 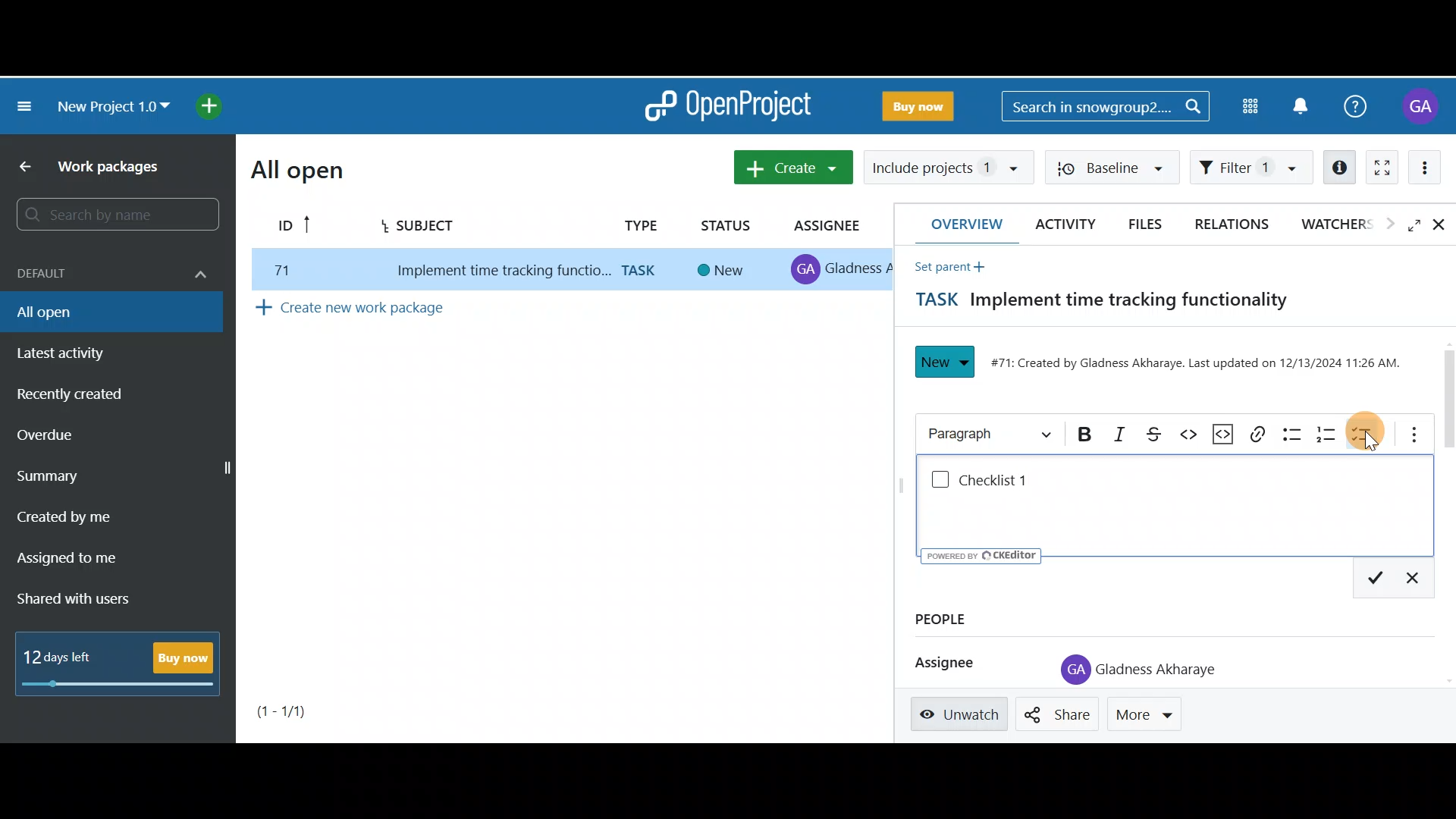 I want to click on Summary, so click(x=63, y=475).